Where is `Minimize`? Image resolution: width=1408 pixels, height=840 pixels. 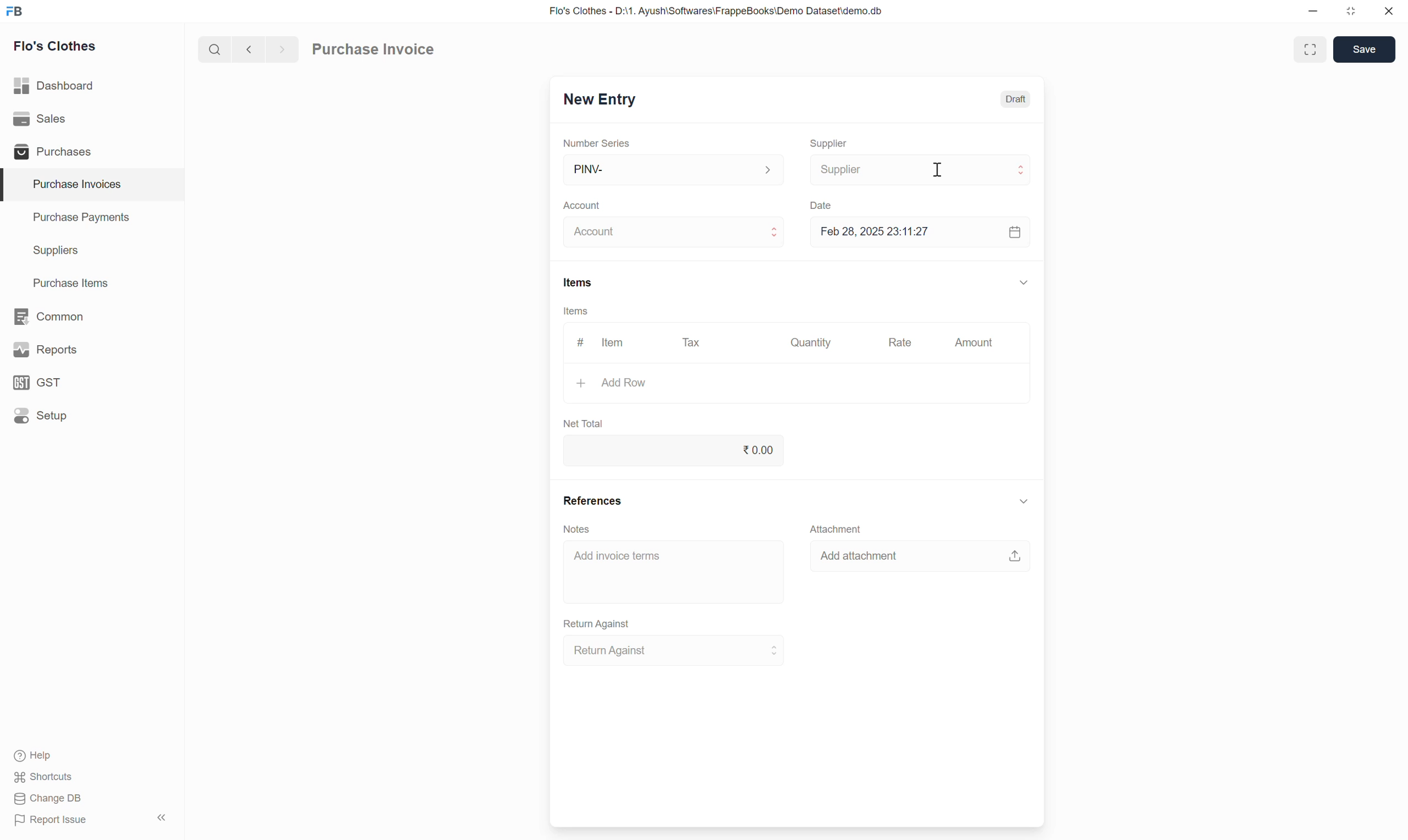
Minimize is located at coordinates (1313, 11).